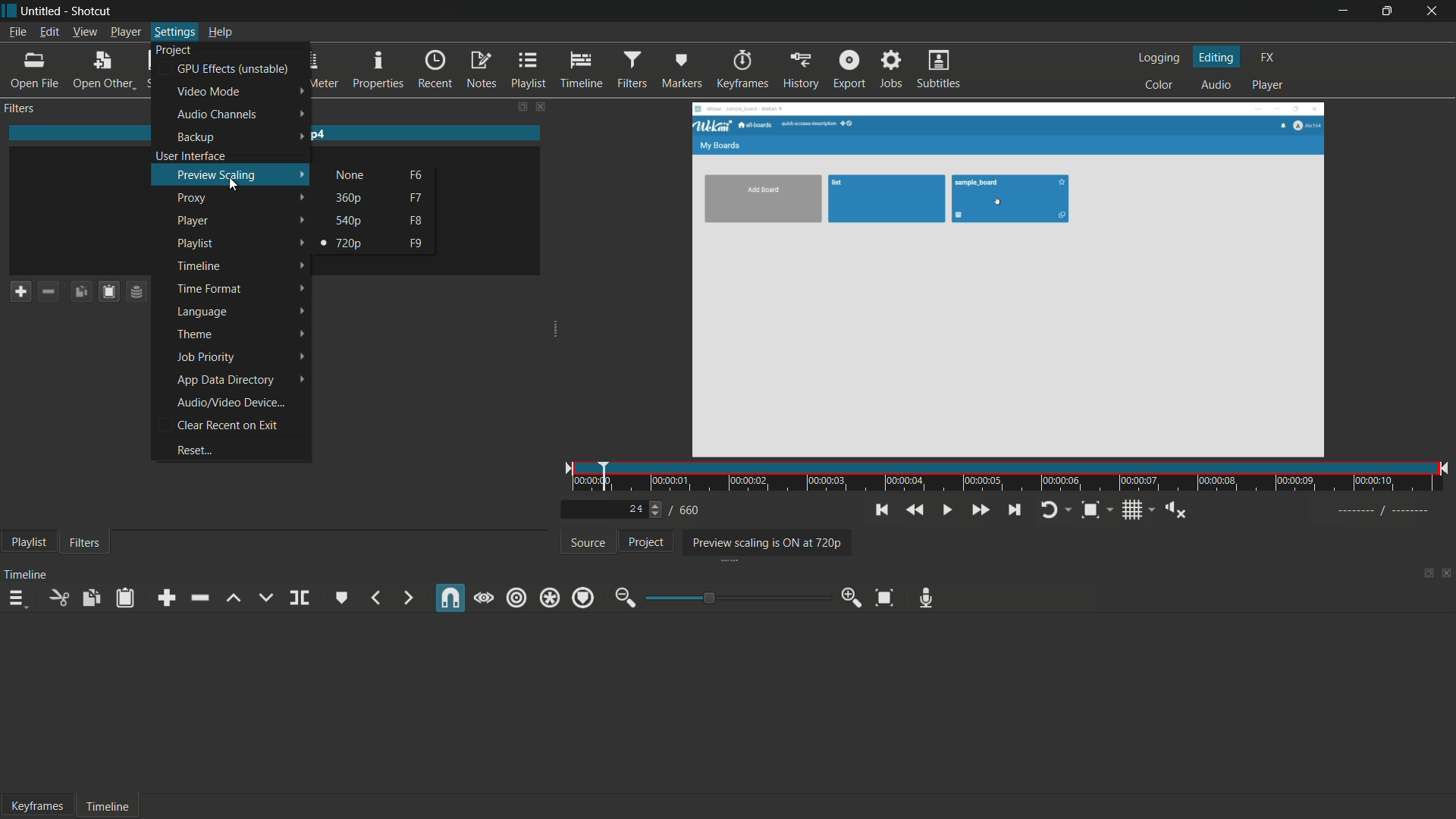 Image resolution: width=1456 pixels, height=819 pixels. What do you see at coordinates (39, 807) in the screenshot?
I see `keyframes` at bounding box center [39, 807].